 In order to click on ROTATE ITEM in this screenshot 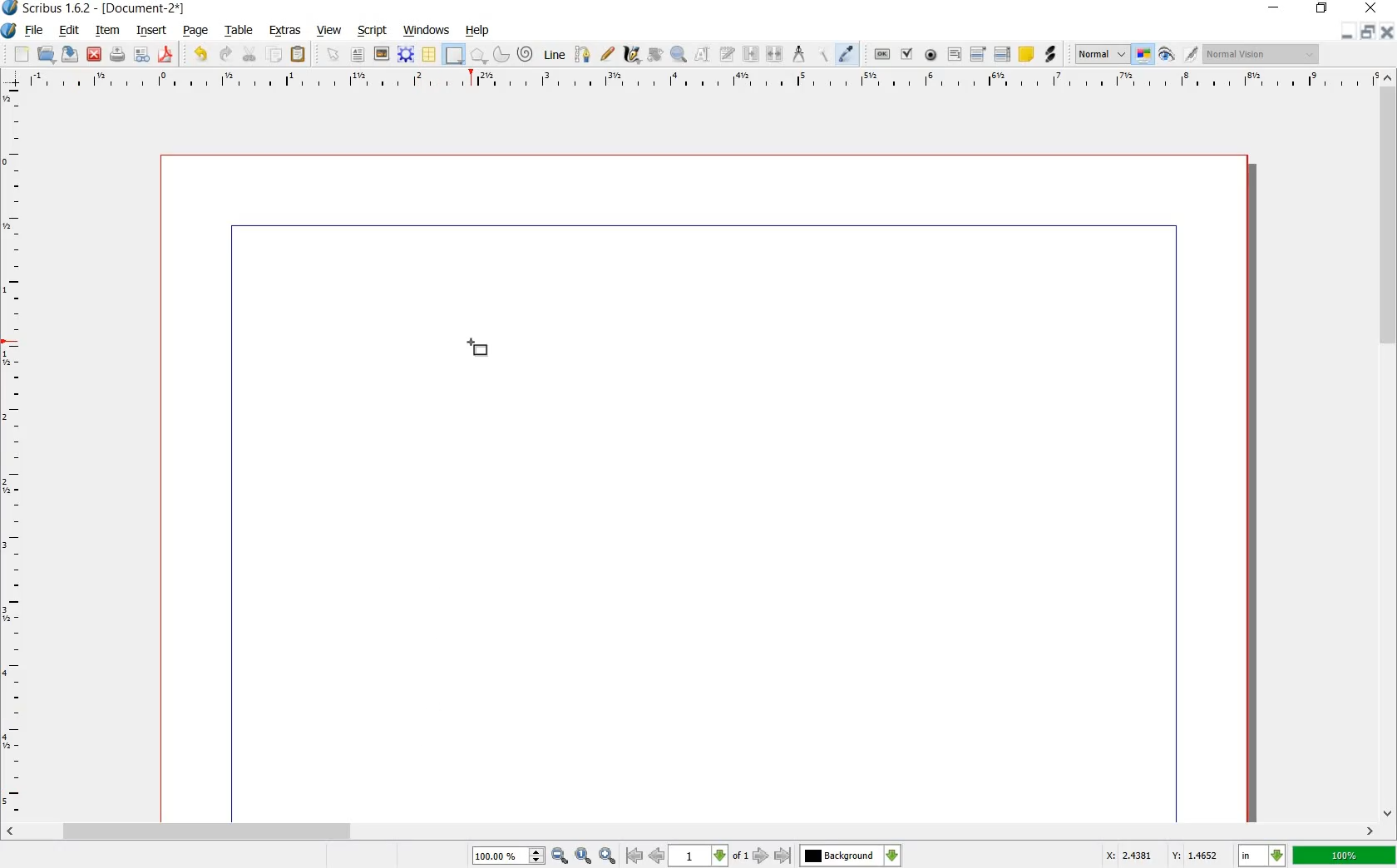, I will do `click(656, 52)`.